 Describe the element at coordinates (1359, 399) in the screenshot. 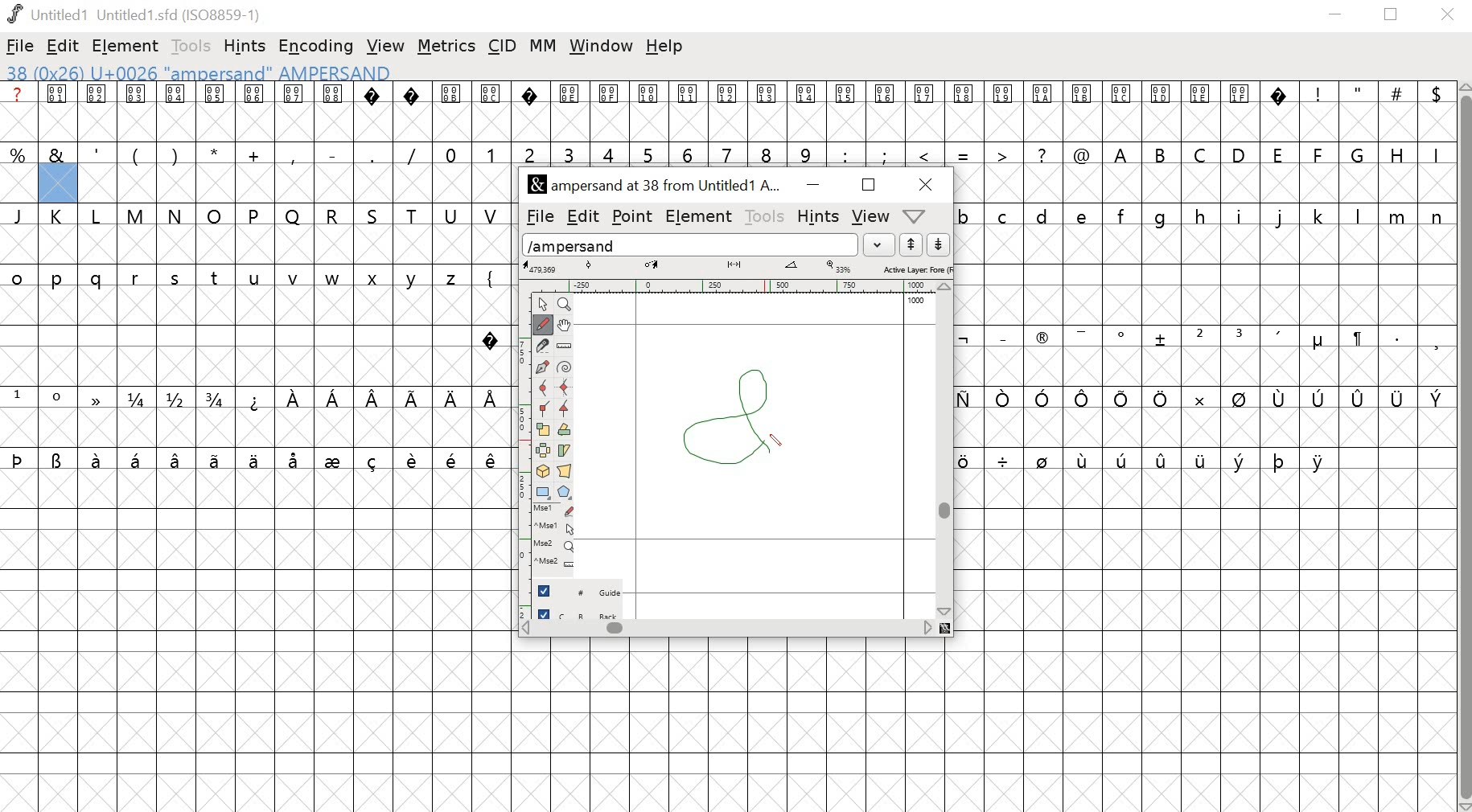

I see `symbol` at that location.